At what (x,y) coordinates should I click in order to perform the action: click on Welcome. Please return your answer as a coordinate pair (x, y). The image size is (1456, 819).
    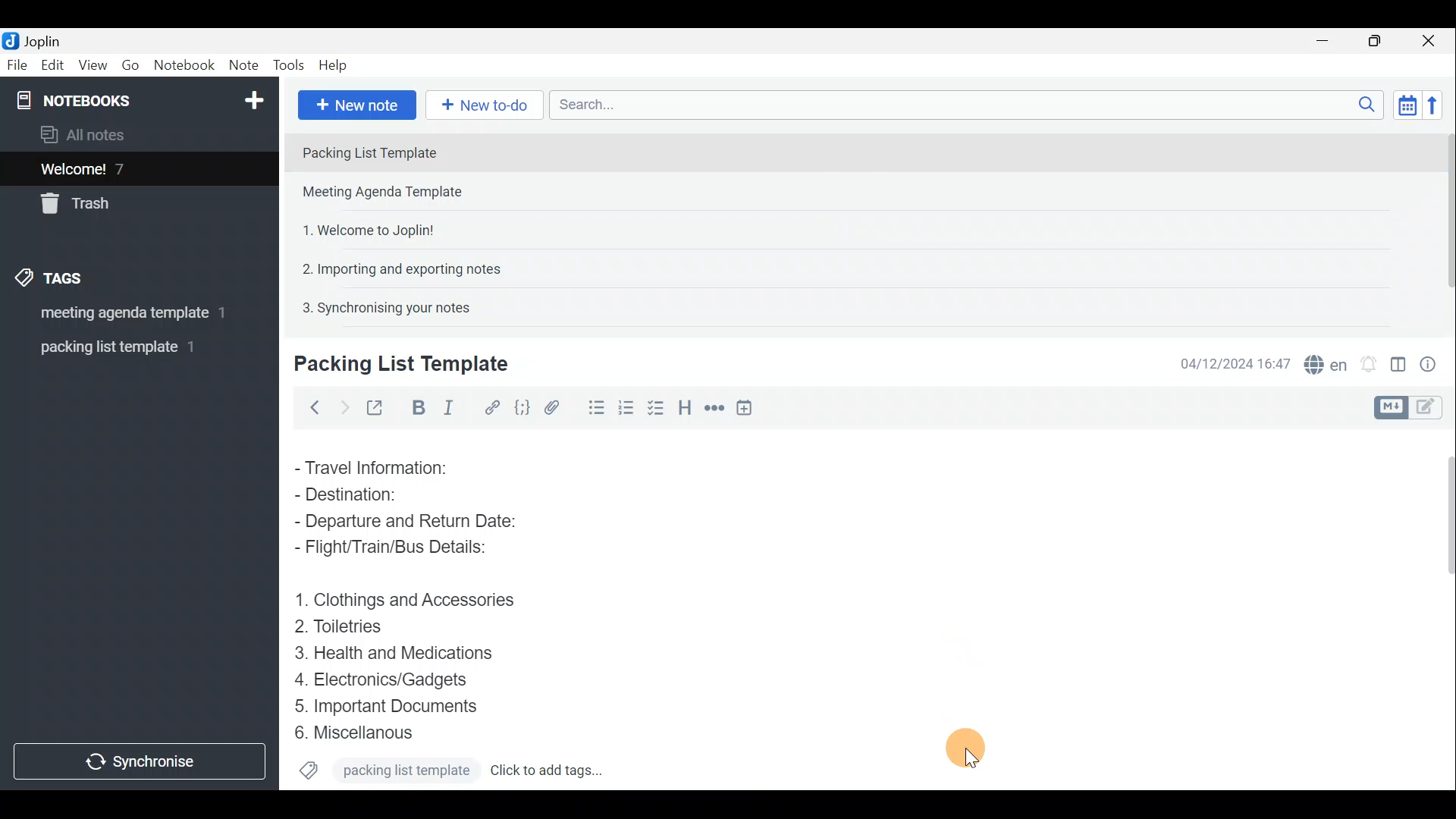
    Looking at the image, I should click on (116, 168).